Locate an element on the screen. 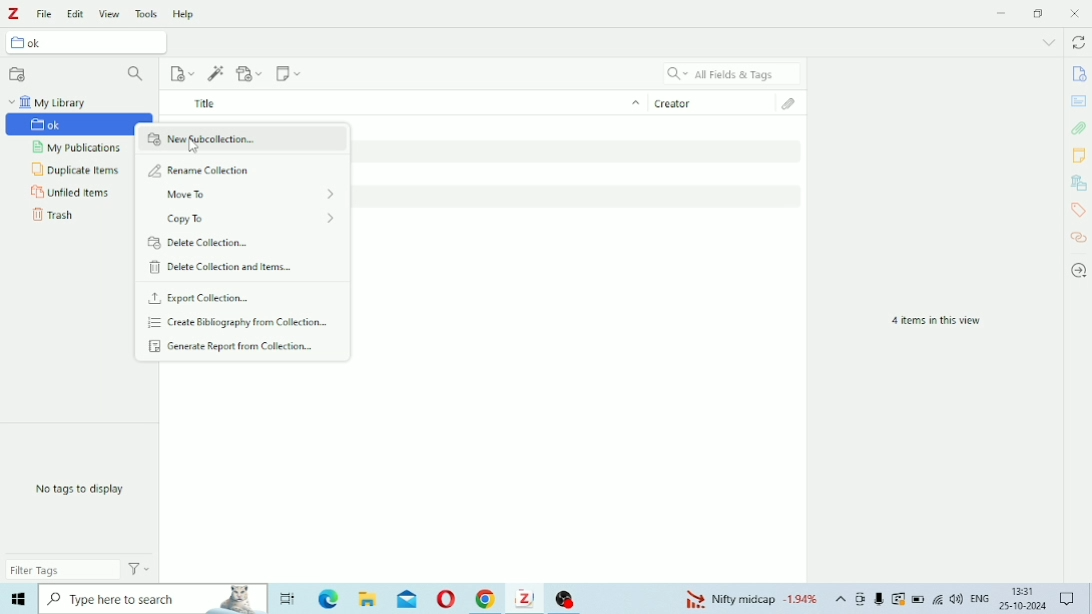 The height and width of the screenshot is (614, 1092). Attachments is located at coordinates (795, 104).